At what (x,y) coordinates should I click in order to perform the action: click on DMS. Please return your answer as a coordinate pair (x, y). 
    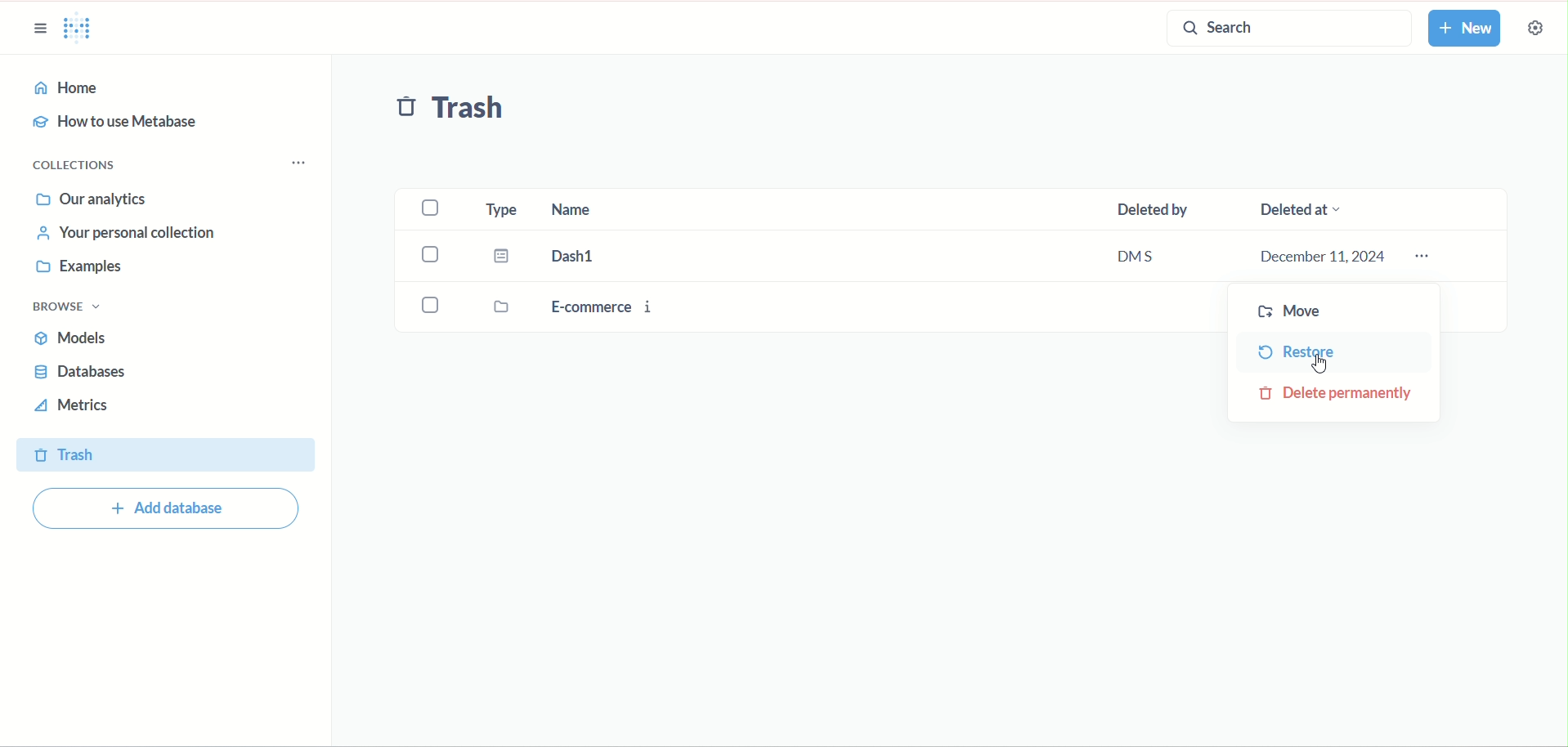
    Looking at the image, I should click on (1152, 258).